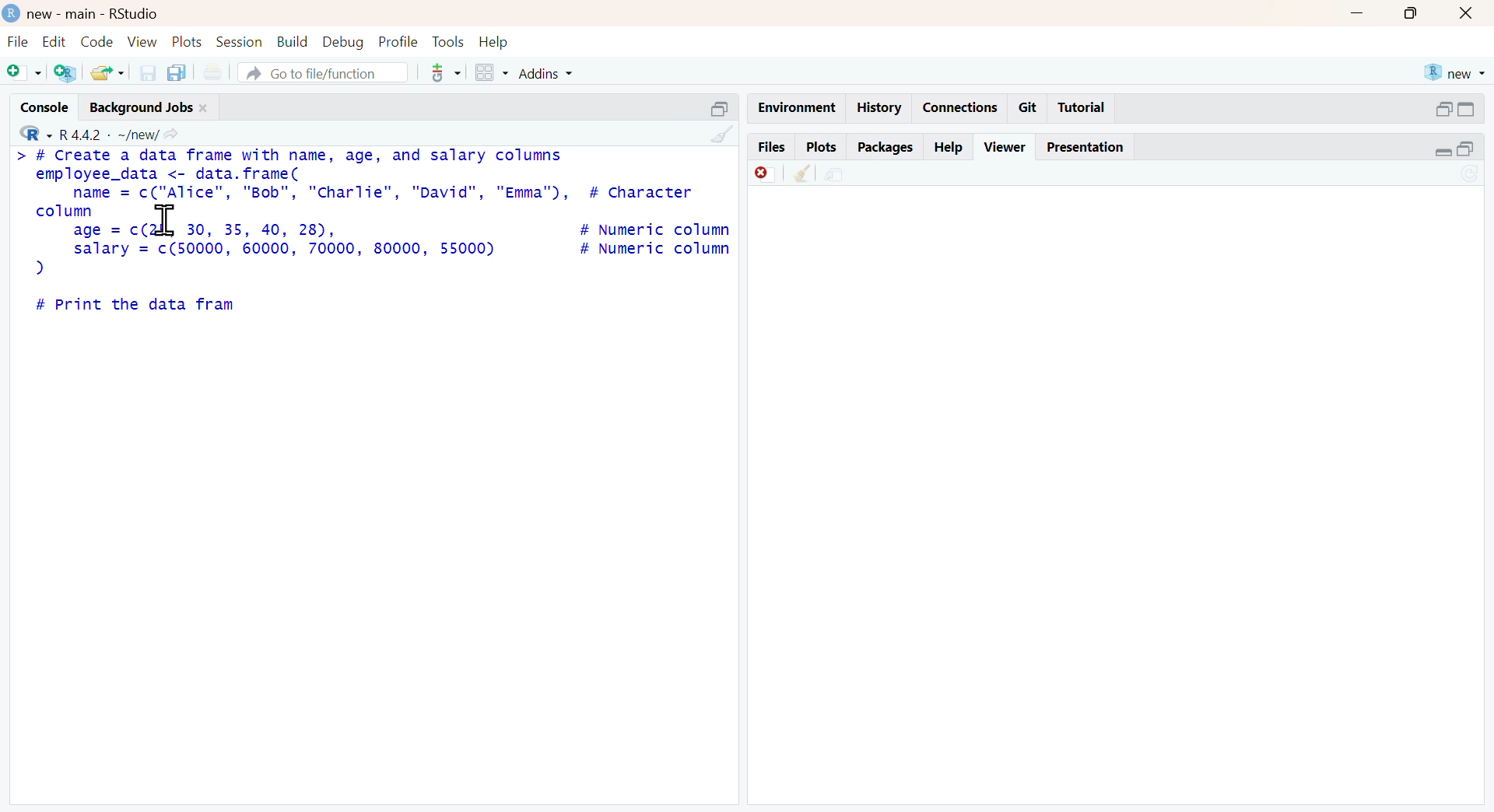 The width and height of the screenshot is (1494, 812). I want to click on open existing file, so click(104, 72).